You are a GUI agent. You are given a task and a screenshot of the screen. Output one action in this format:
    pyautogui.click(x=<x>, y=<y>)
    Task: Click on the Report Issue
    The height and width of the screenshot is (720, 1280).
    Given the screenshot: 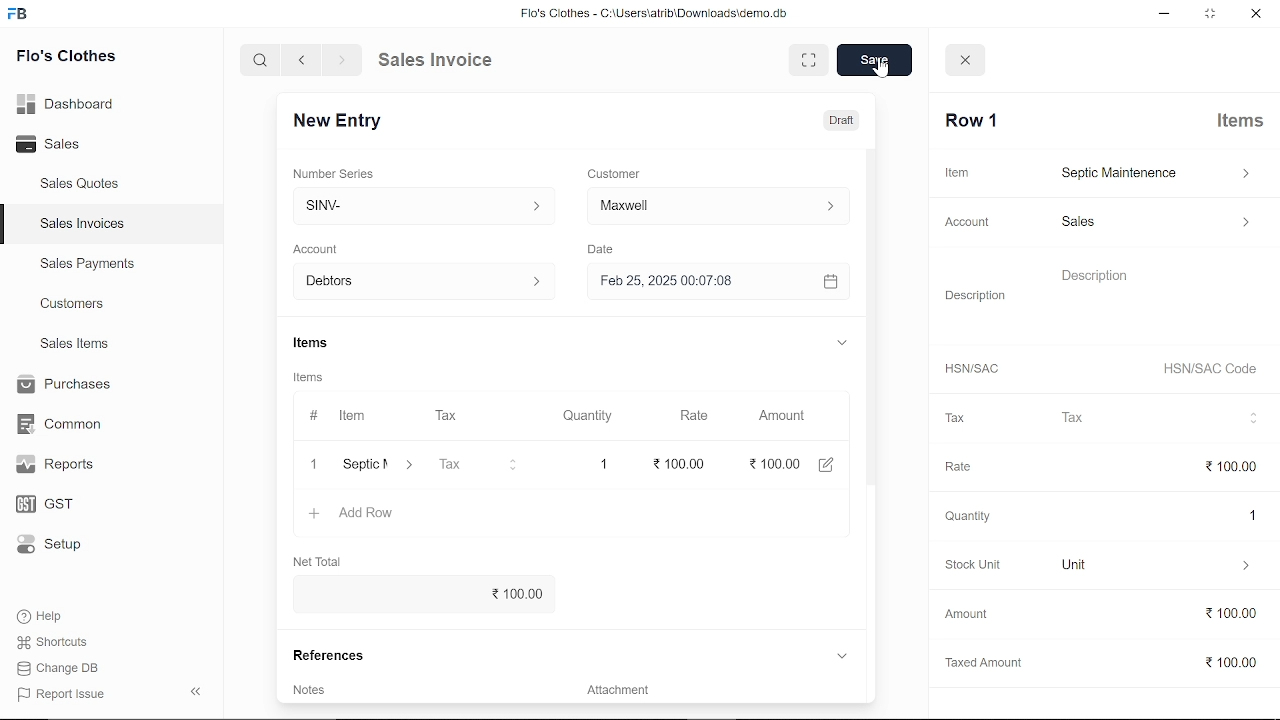 What is the action you would take?
    pyautogui.click(x=61, y=693)
    